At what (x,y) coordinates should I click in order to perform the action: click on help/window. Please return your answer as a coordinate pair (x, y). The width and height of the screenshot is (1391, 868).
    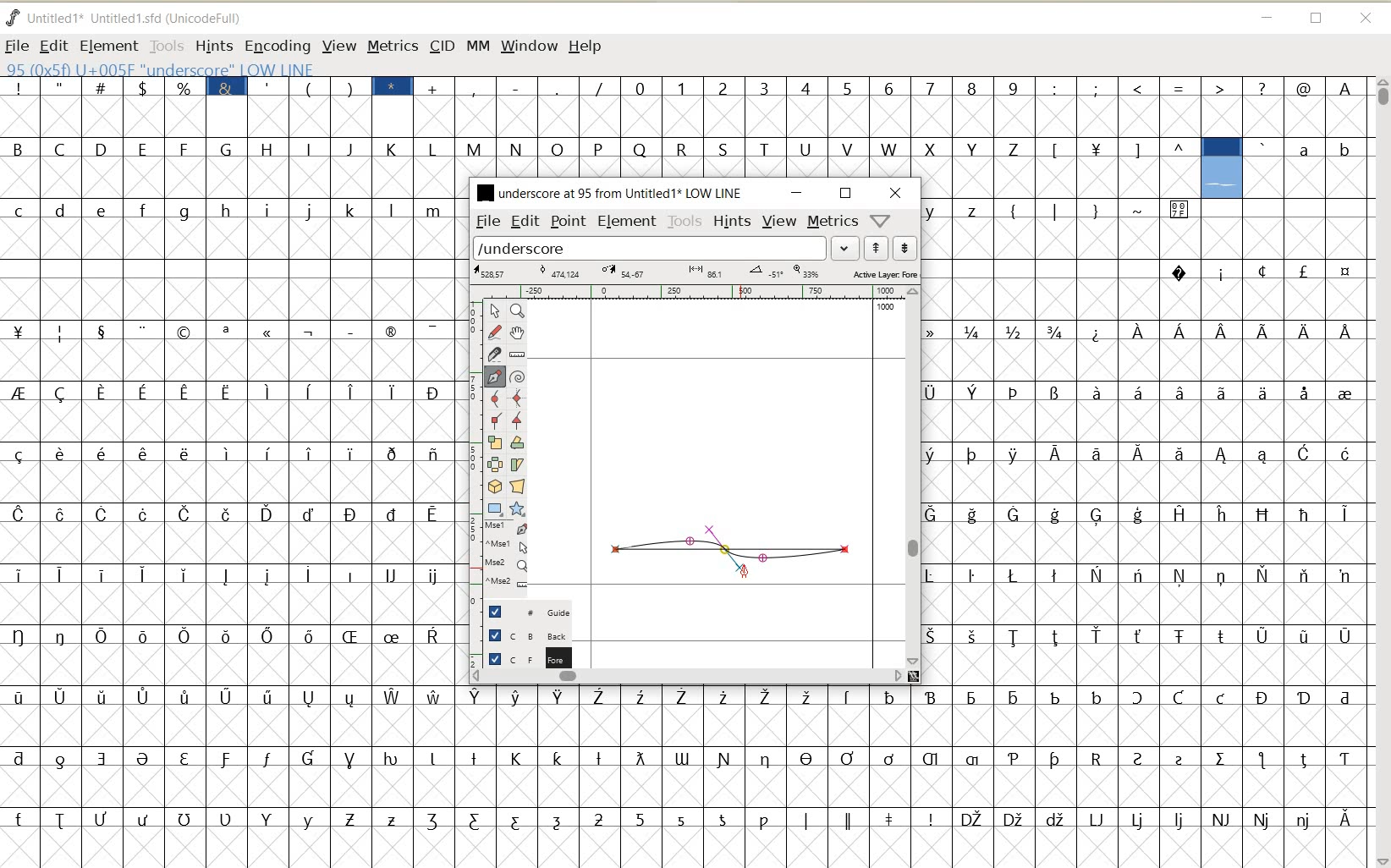
    Looking at the image, I should click on (879, 221).